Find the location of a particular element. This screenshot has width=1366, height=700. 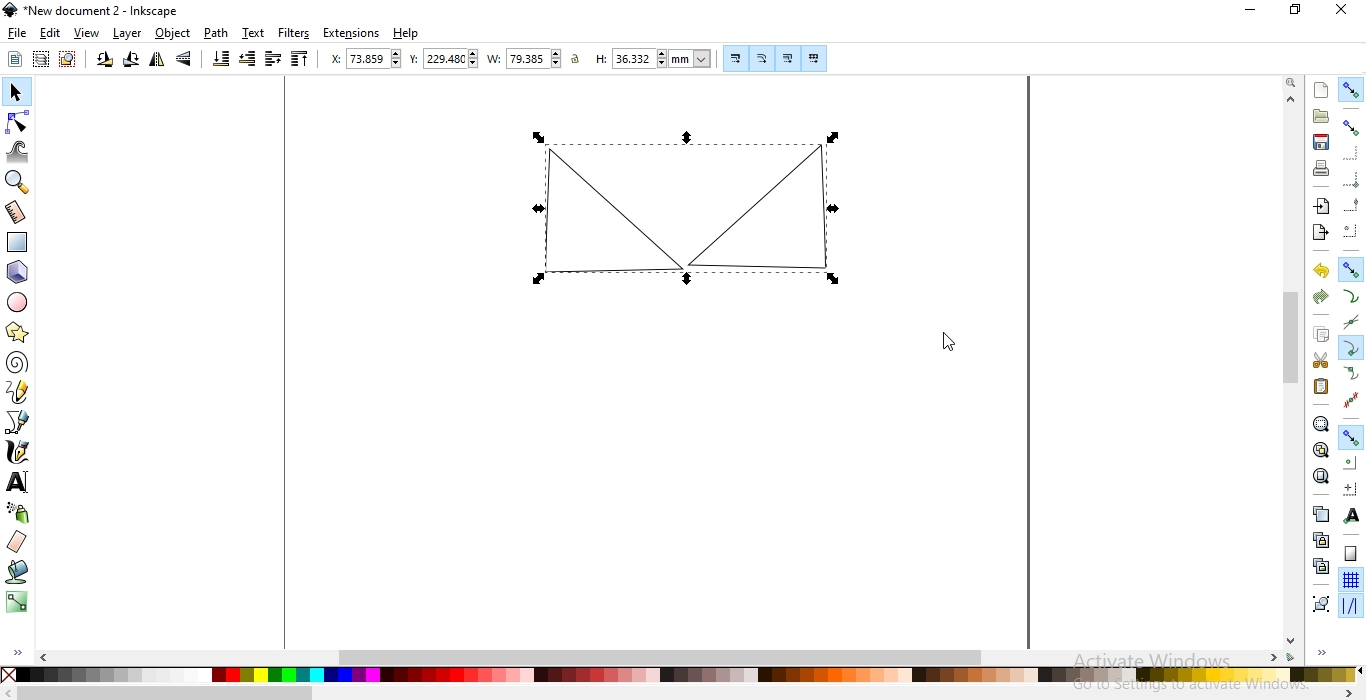

zoom is located at coordinates (1289, 83).